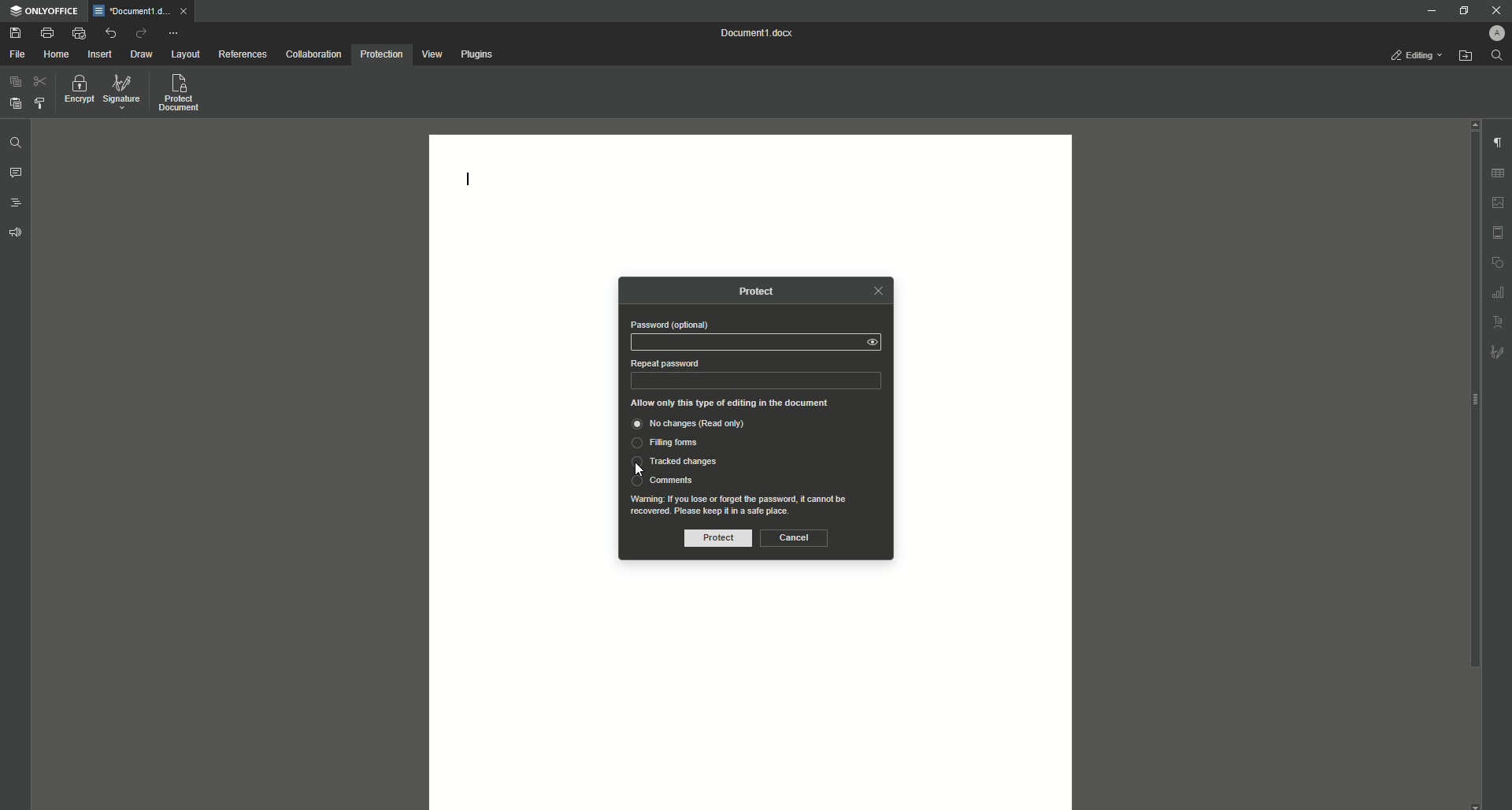 This screenshot has height=810, width=1512. Describe the element at coordinates (1463, 11) in the screenshot. I see `Restore` at that location.